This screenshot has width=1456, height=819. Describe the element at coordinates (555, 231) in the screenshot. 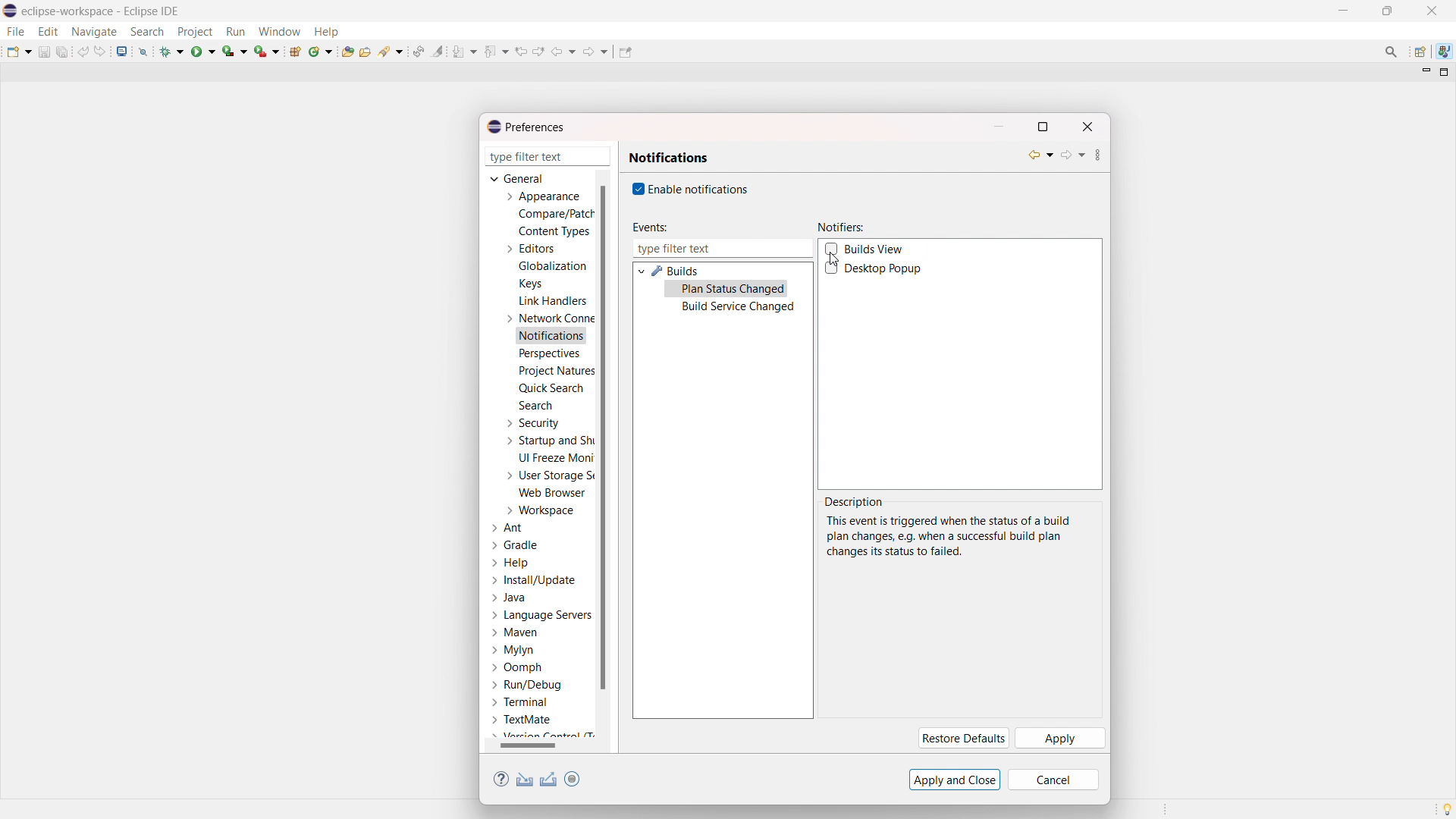

I see `content types` at that location.